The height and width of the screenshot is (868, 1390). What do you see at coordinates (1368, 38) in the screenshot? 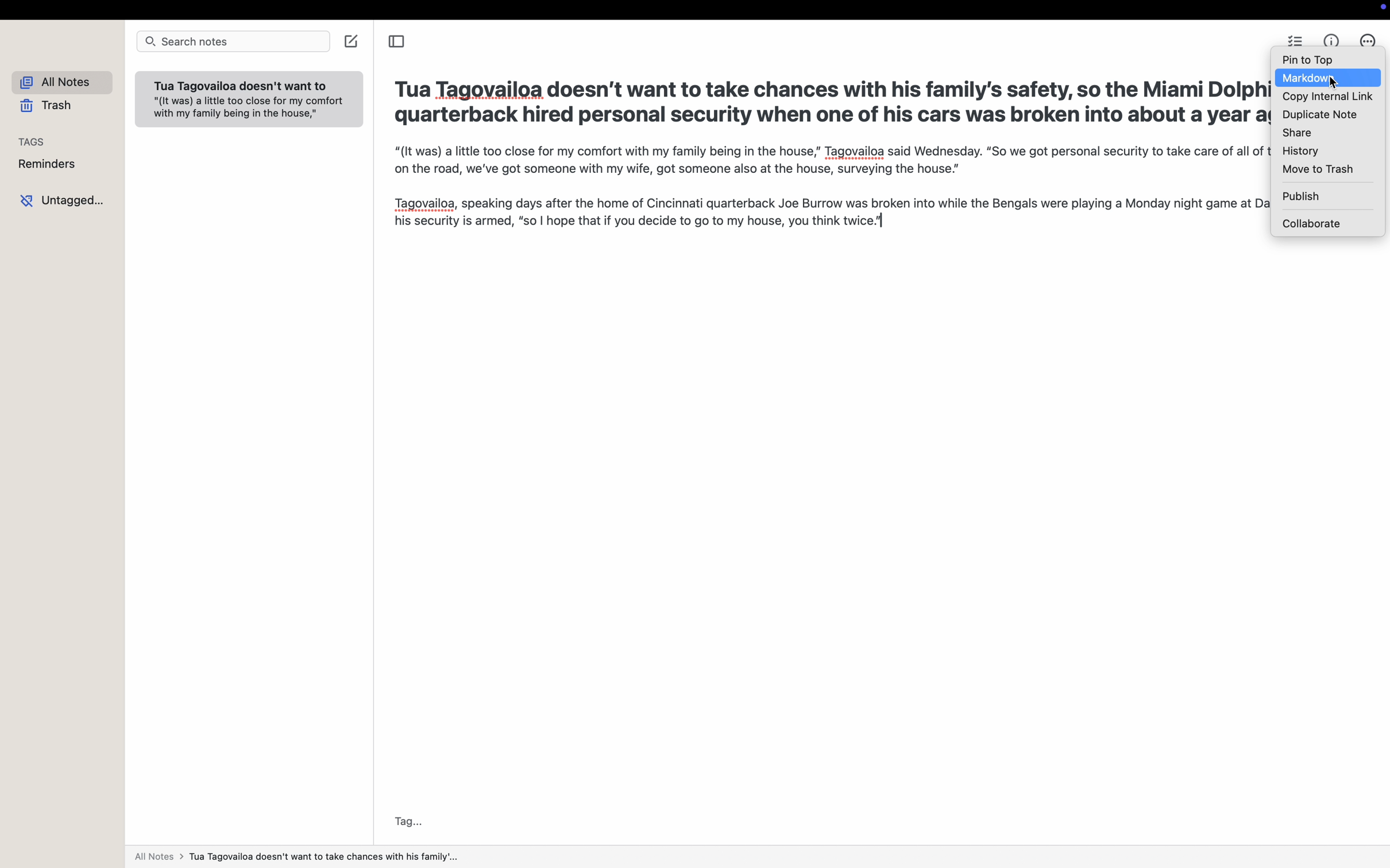
I see `click on more options` at bounding box center [1368, 38].